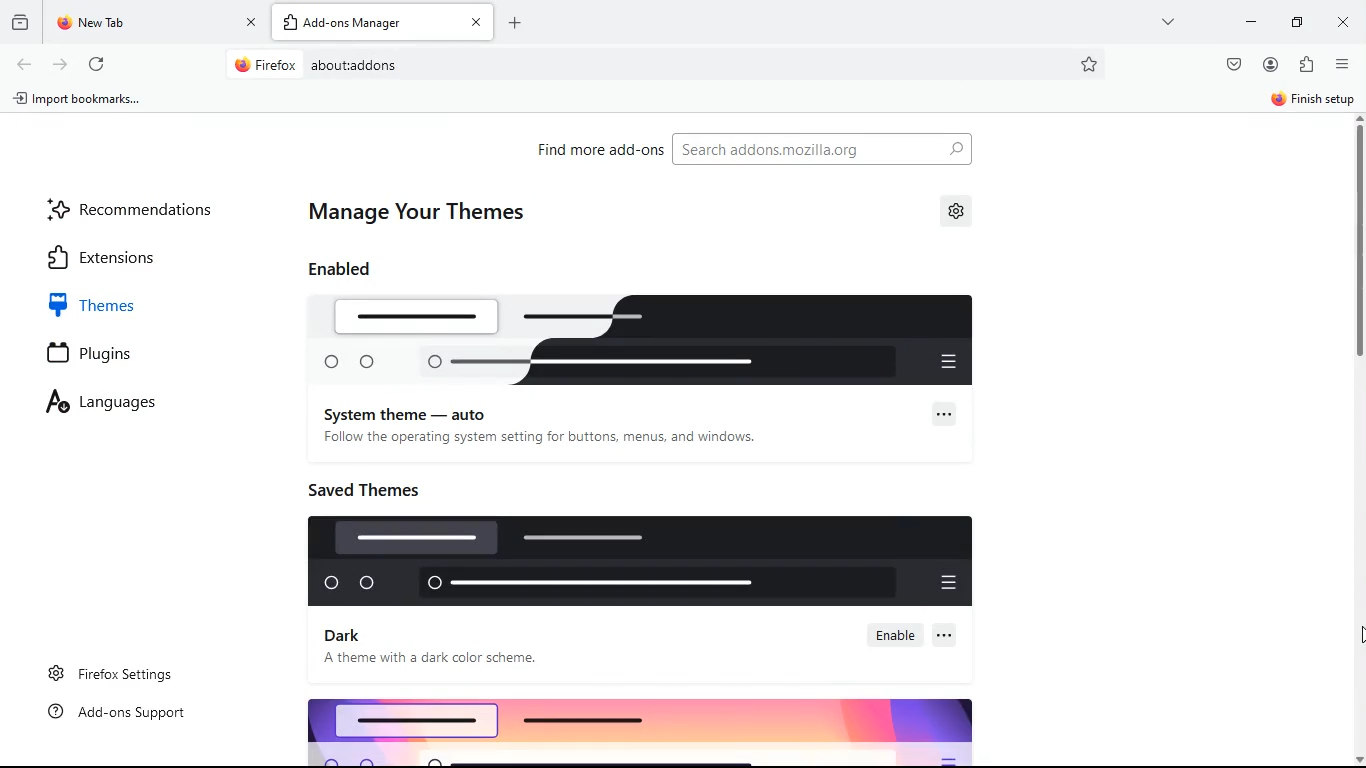  Describe the element at coordinates (1170, 22) in the screenshot. I see `more` at that location.